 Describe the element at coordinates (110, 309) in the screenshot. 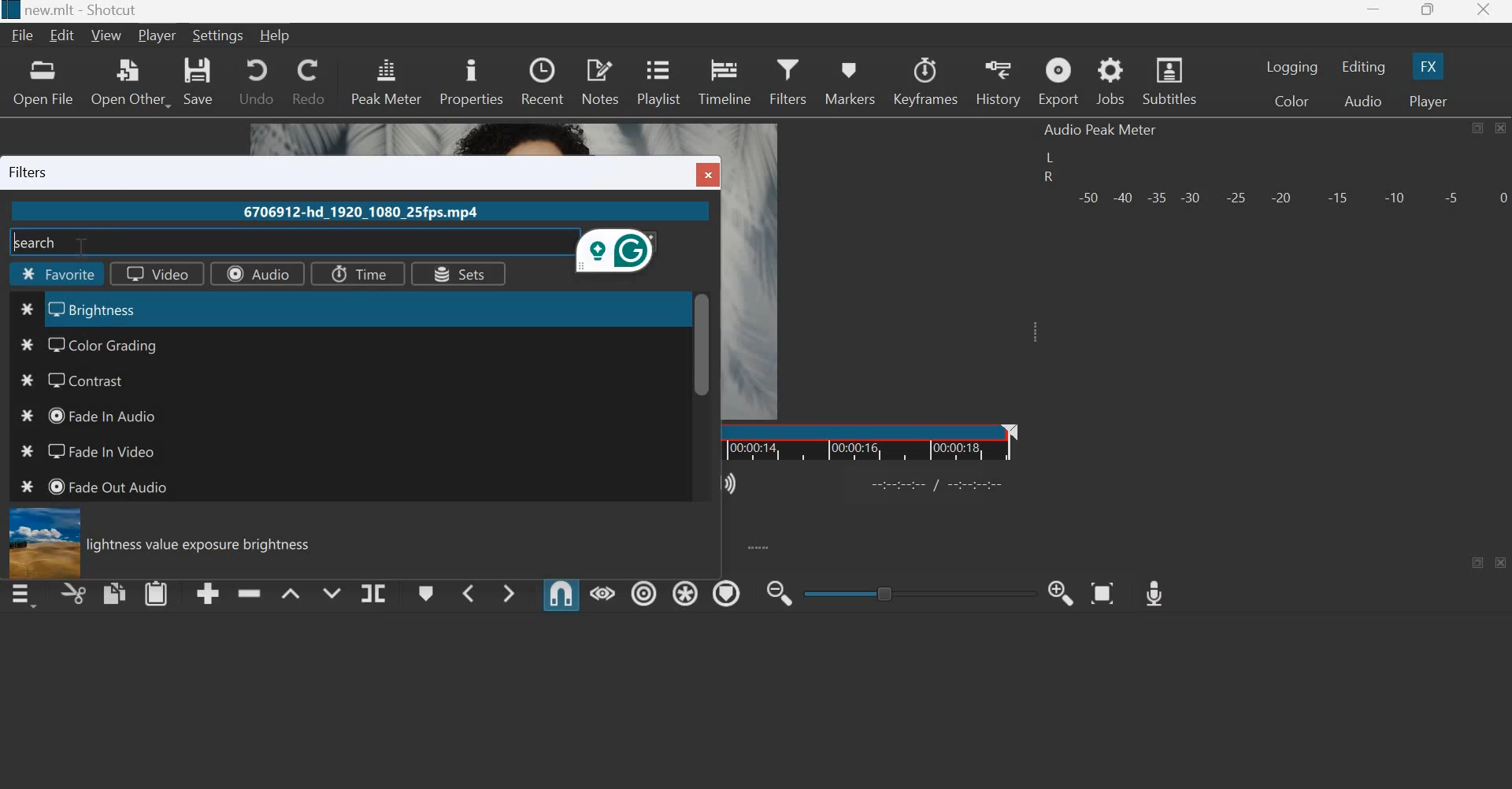

I see `Brightness` at that location.